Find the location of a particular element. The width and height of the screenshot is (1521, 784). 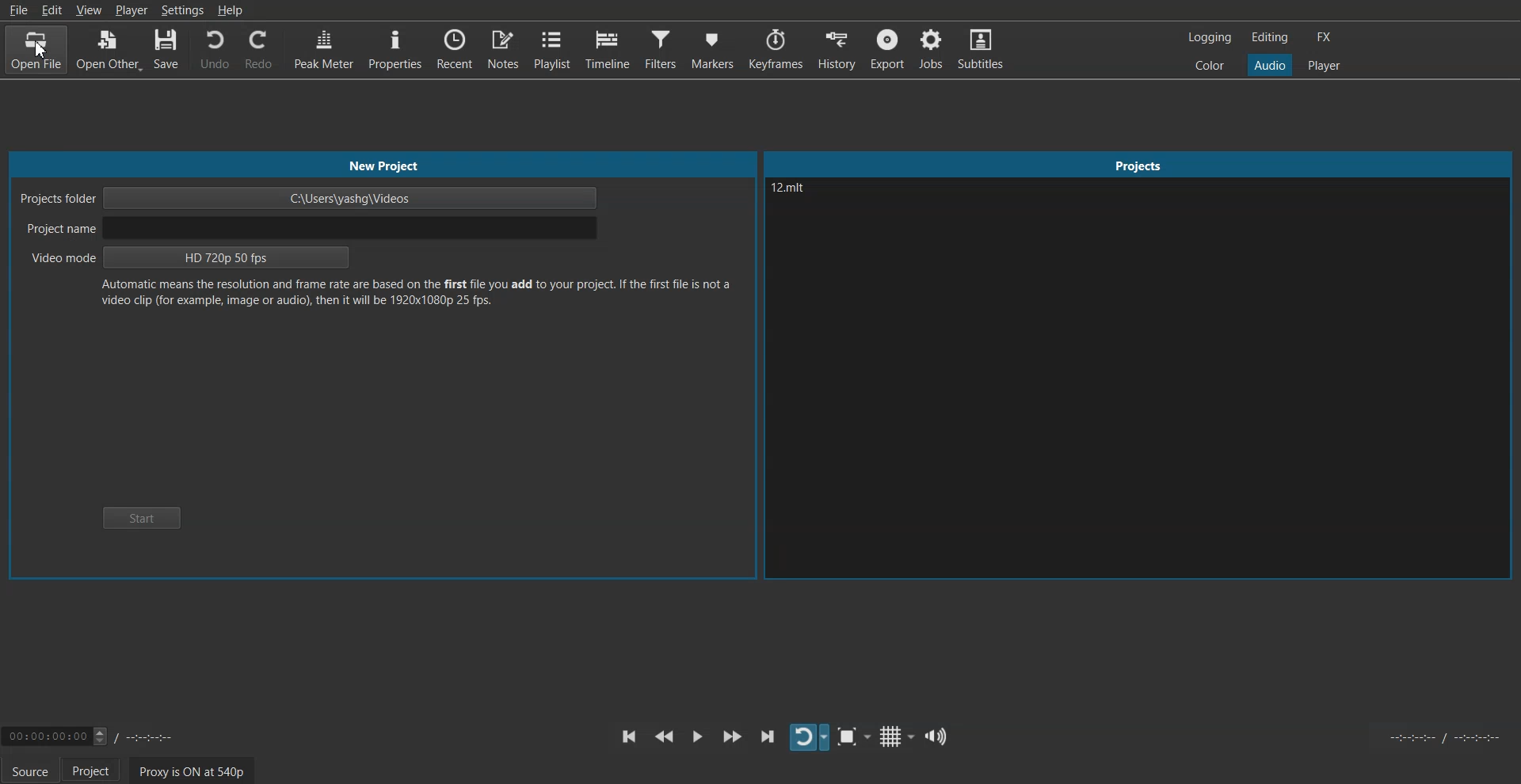

Text 1 is located at coordinates (836, 204).